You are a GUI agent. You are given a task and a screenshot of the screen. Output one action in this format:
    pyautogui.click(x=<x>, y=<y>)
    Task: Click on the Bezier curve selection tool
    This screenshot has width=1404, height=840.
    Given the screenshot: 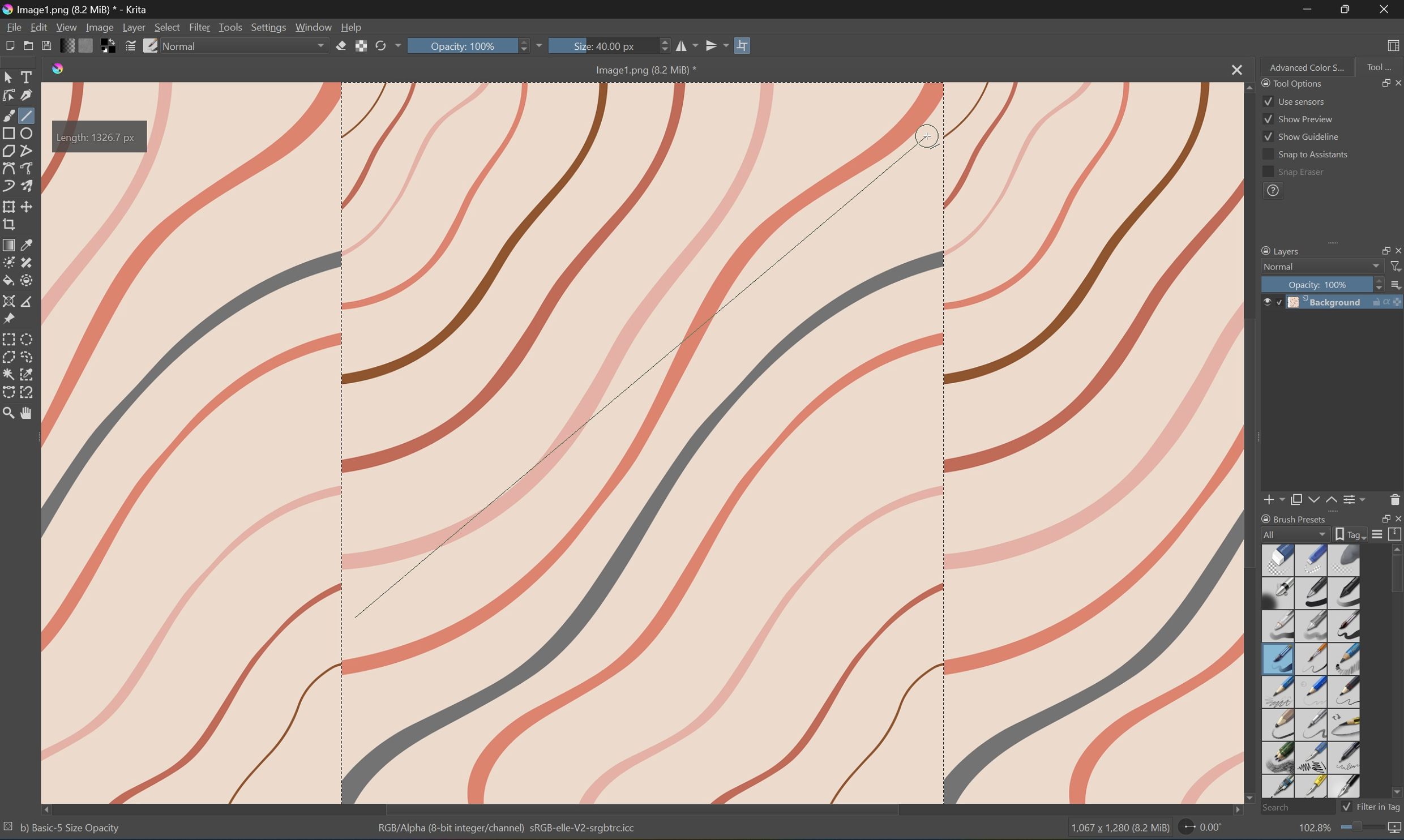 What is the action you would take?
    pyautogui.click(x=11, y=390)
    